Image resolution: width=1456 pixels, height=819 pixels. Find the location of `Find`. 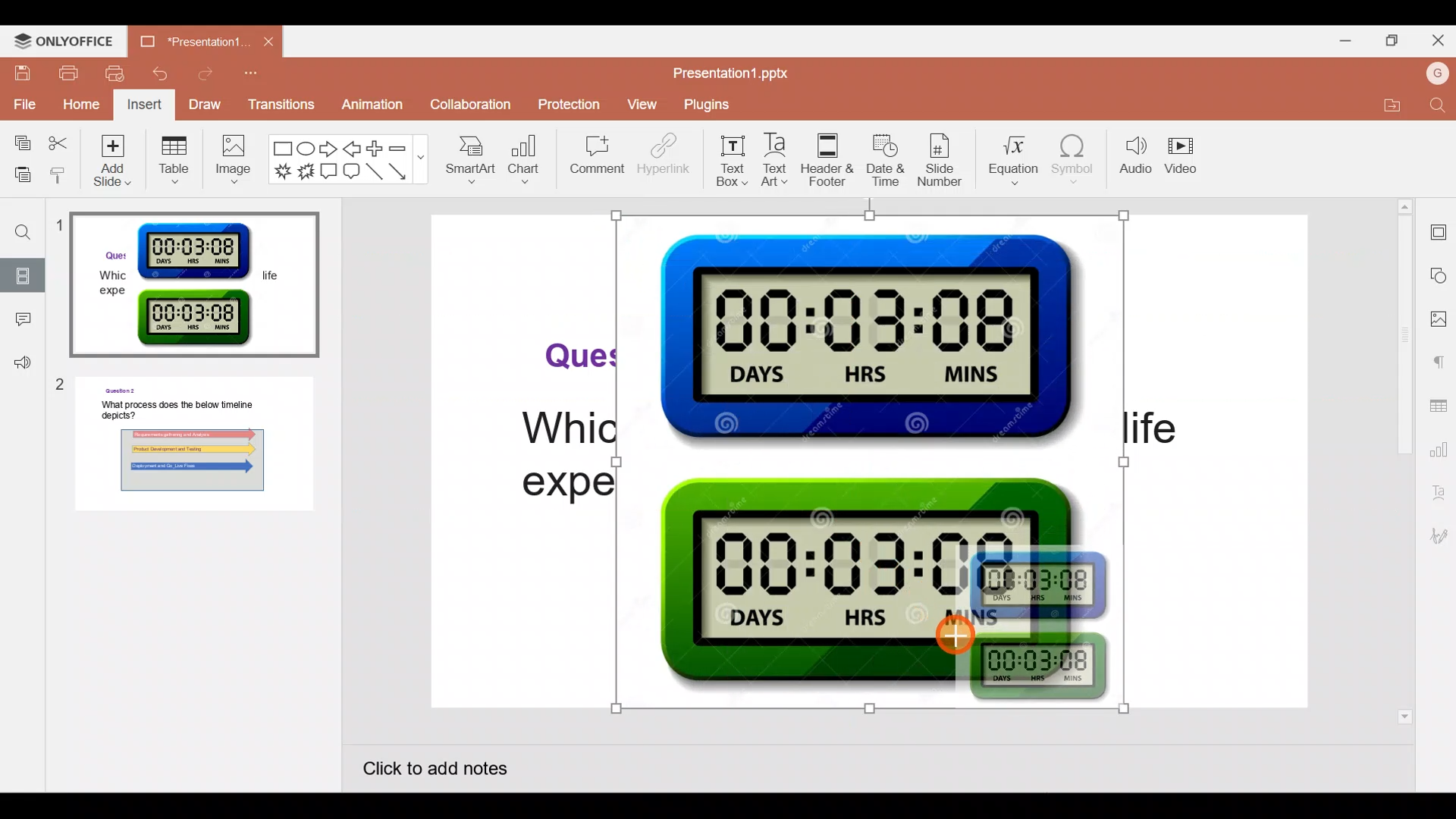

Find is located at coordinates (18, 227).